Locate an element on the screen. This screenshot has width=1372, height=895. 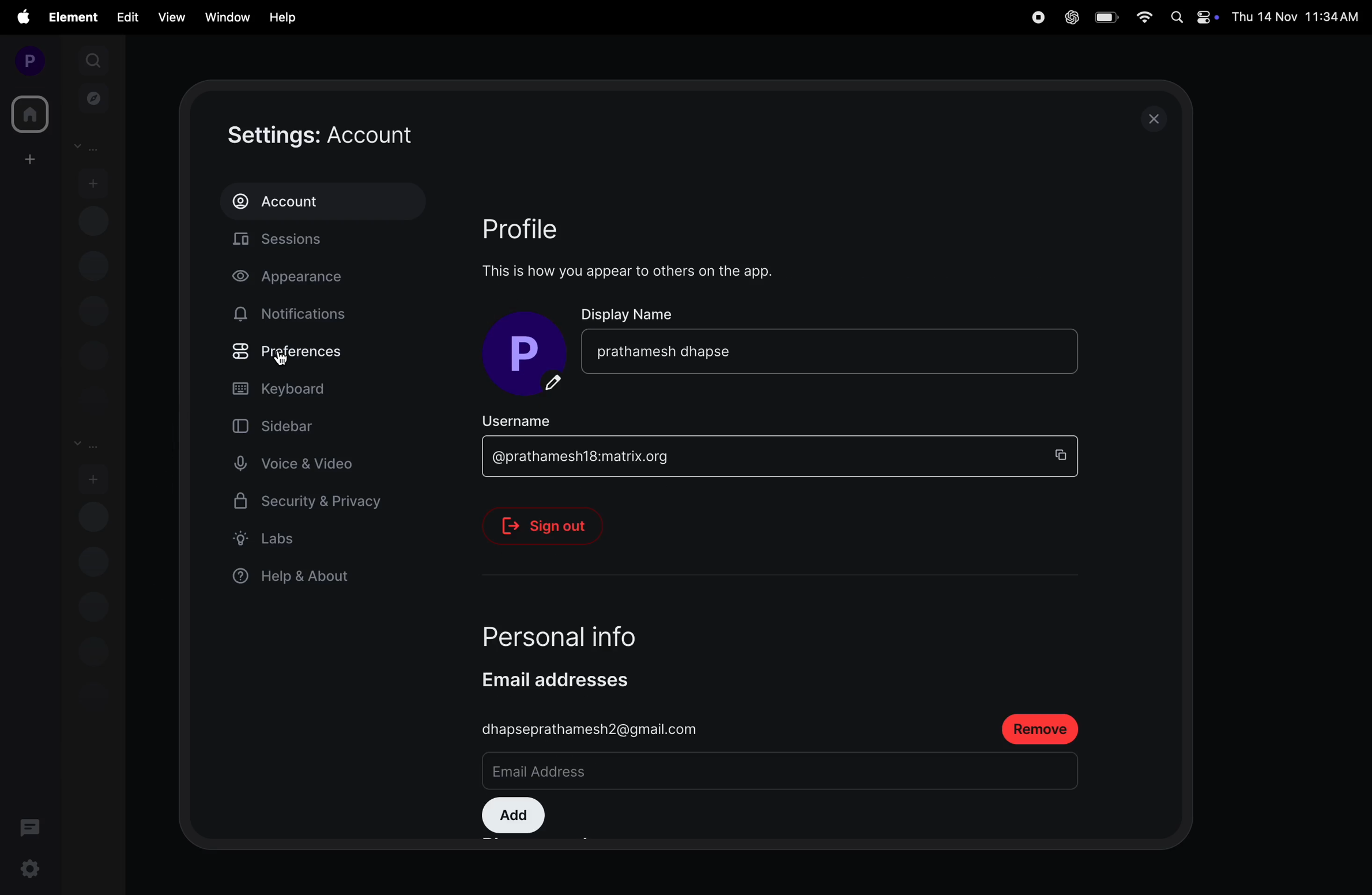
profile is located at coordinates (27, 59).